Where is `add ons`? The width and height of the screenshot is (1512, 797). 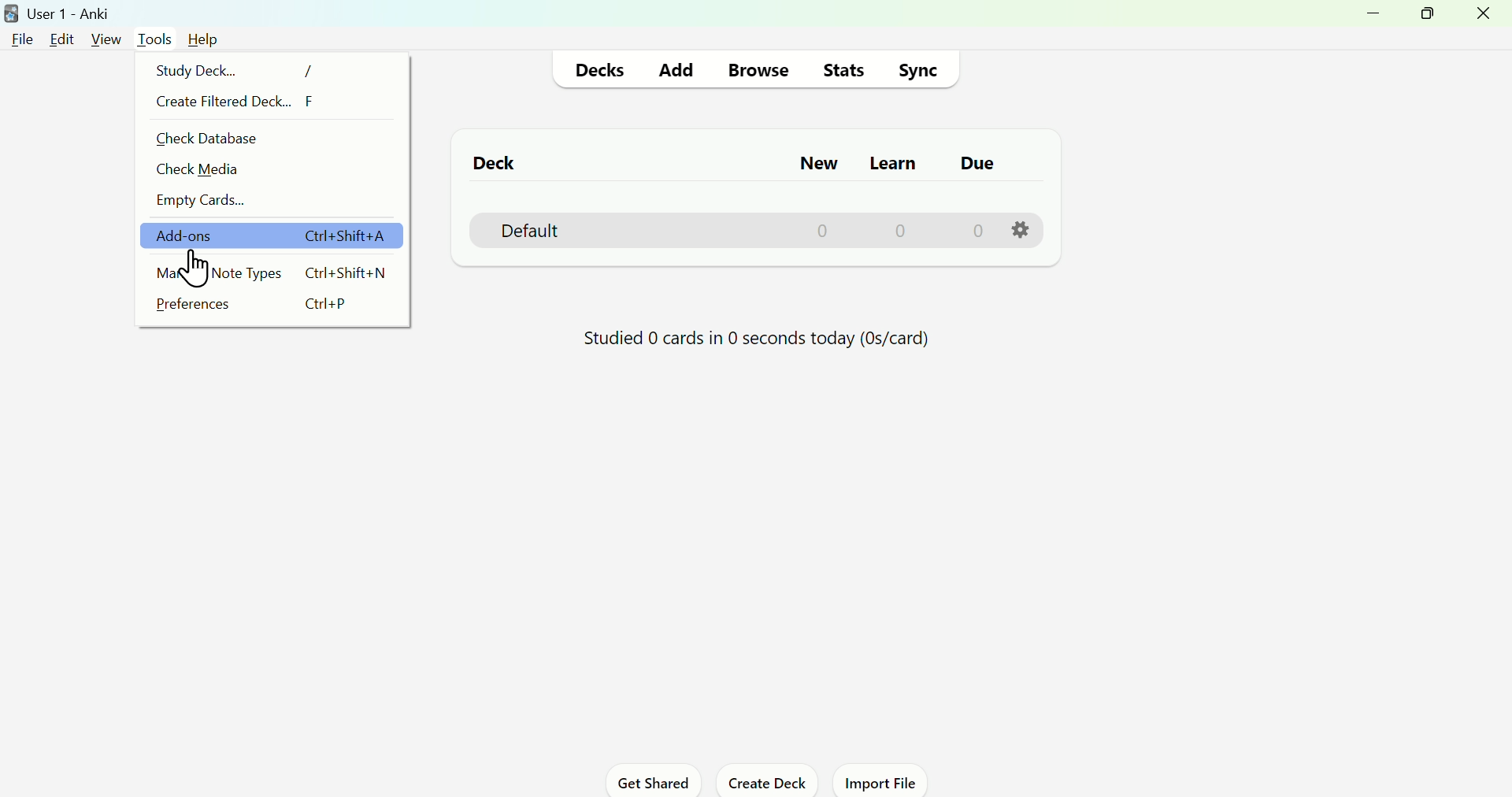 add ons is located at coordinates (272, 238).